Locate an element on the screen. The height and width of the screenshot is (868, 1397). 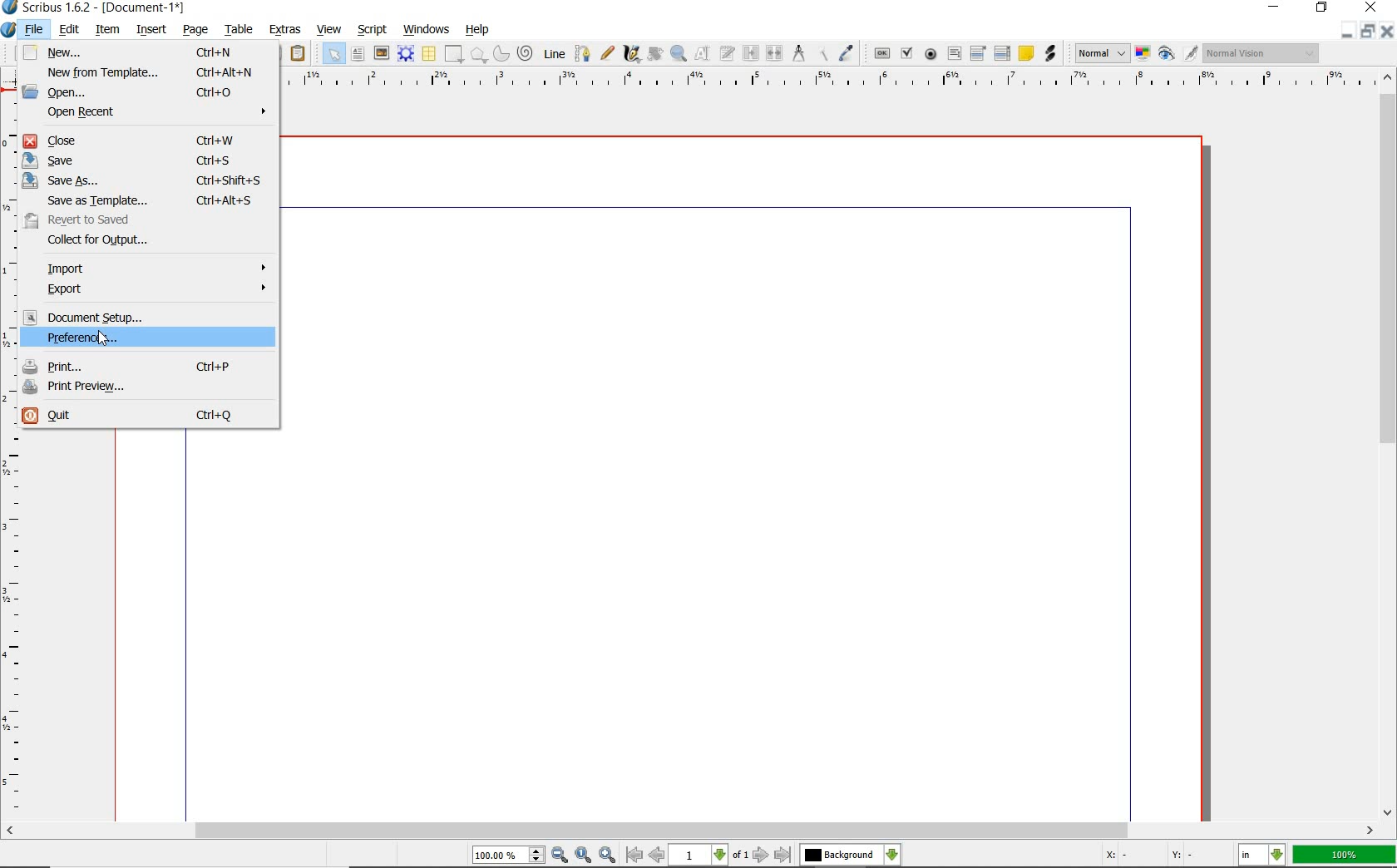
zoom in or zoom out is located at coordinates (678, 55).